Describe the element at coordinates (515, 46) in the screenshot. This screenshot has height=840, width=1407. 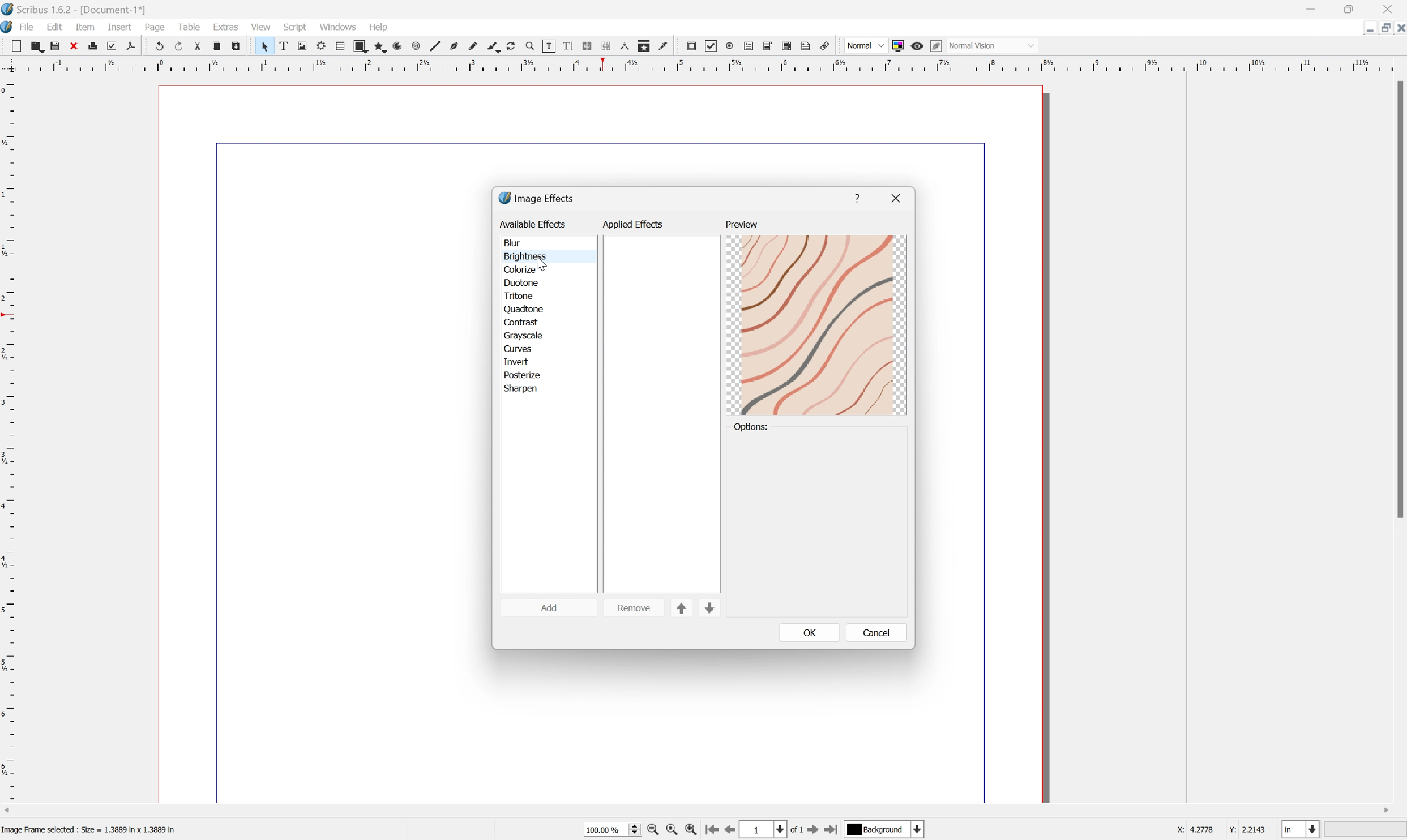
I see `Rotate item` at that location.